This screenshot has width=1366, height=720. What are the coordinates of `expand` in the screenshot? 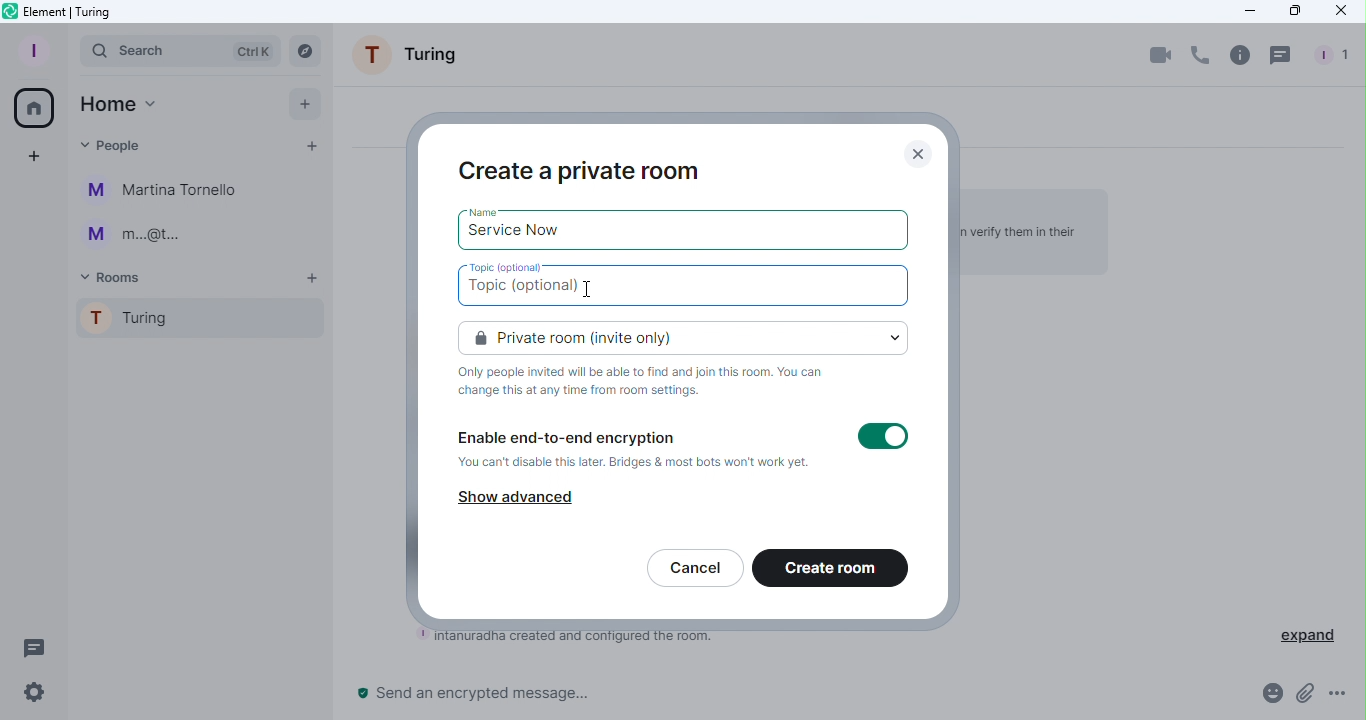 It's located at (1308, 633).